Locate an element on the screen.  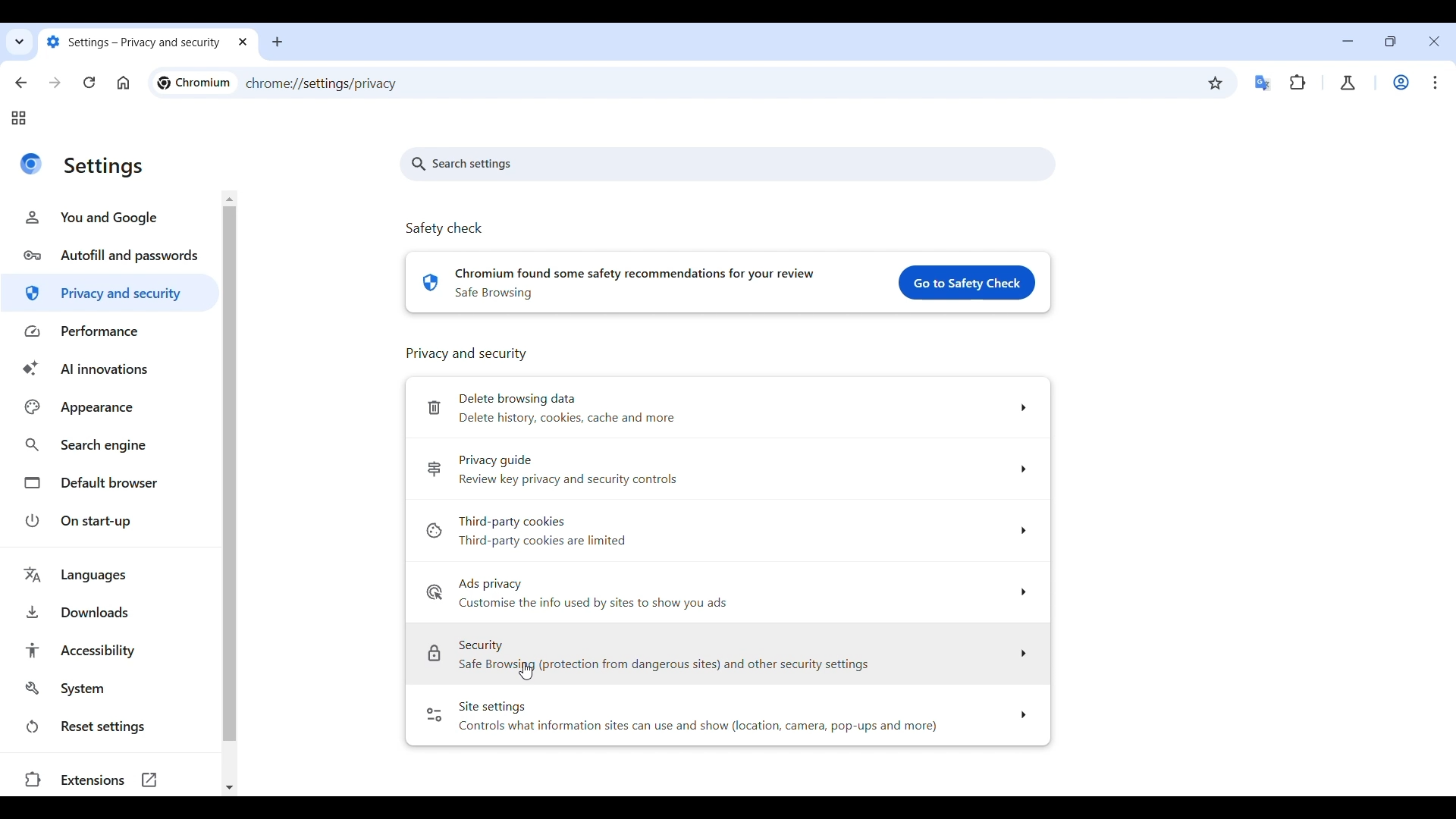
Google translator extension is located at coordinates (1263, 83).